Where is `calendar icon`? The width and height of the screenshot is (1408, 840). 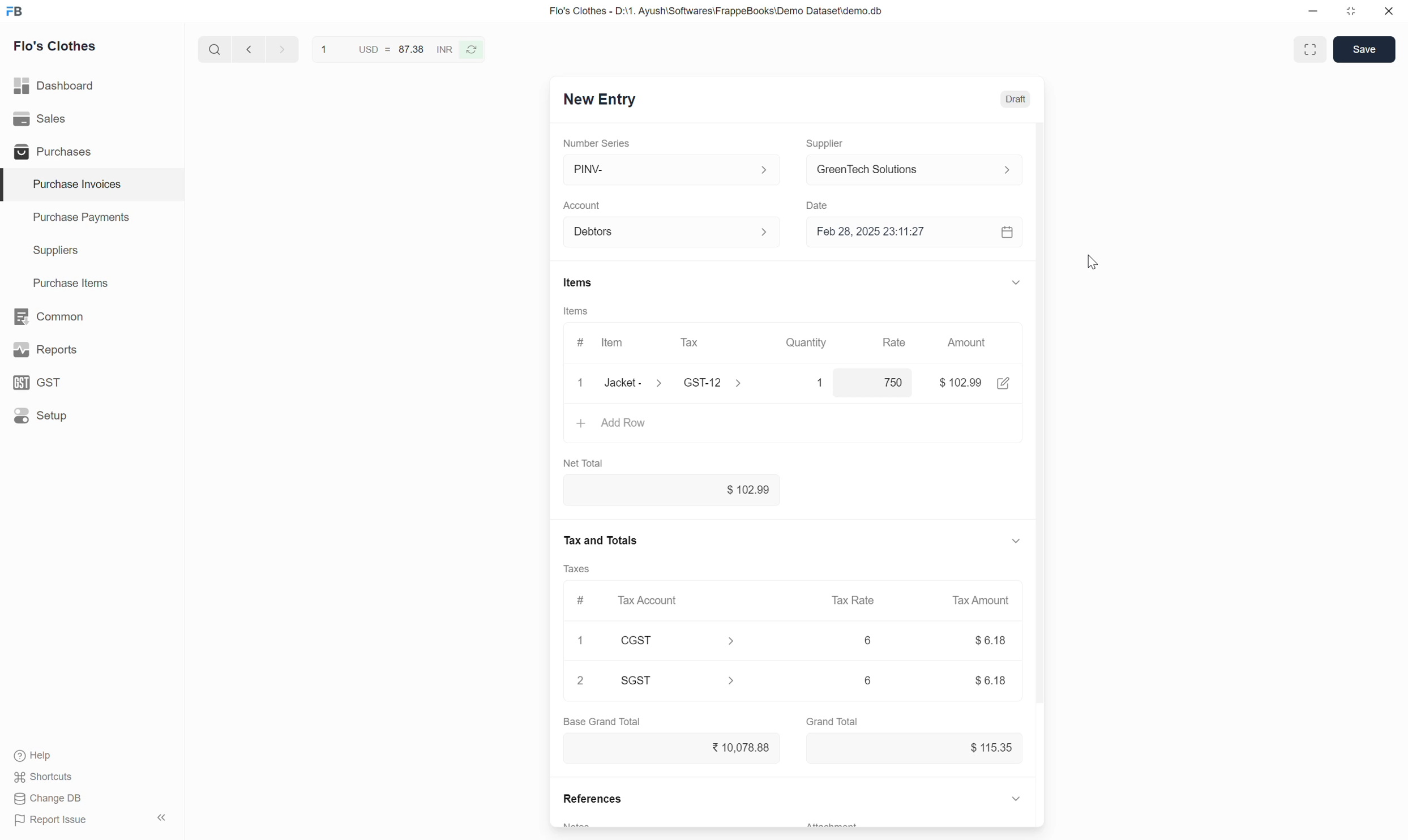 calendar icon is located at coordinates (1009, 232).